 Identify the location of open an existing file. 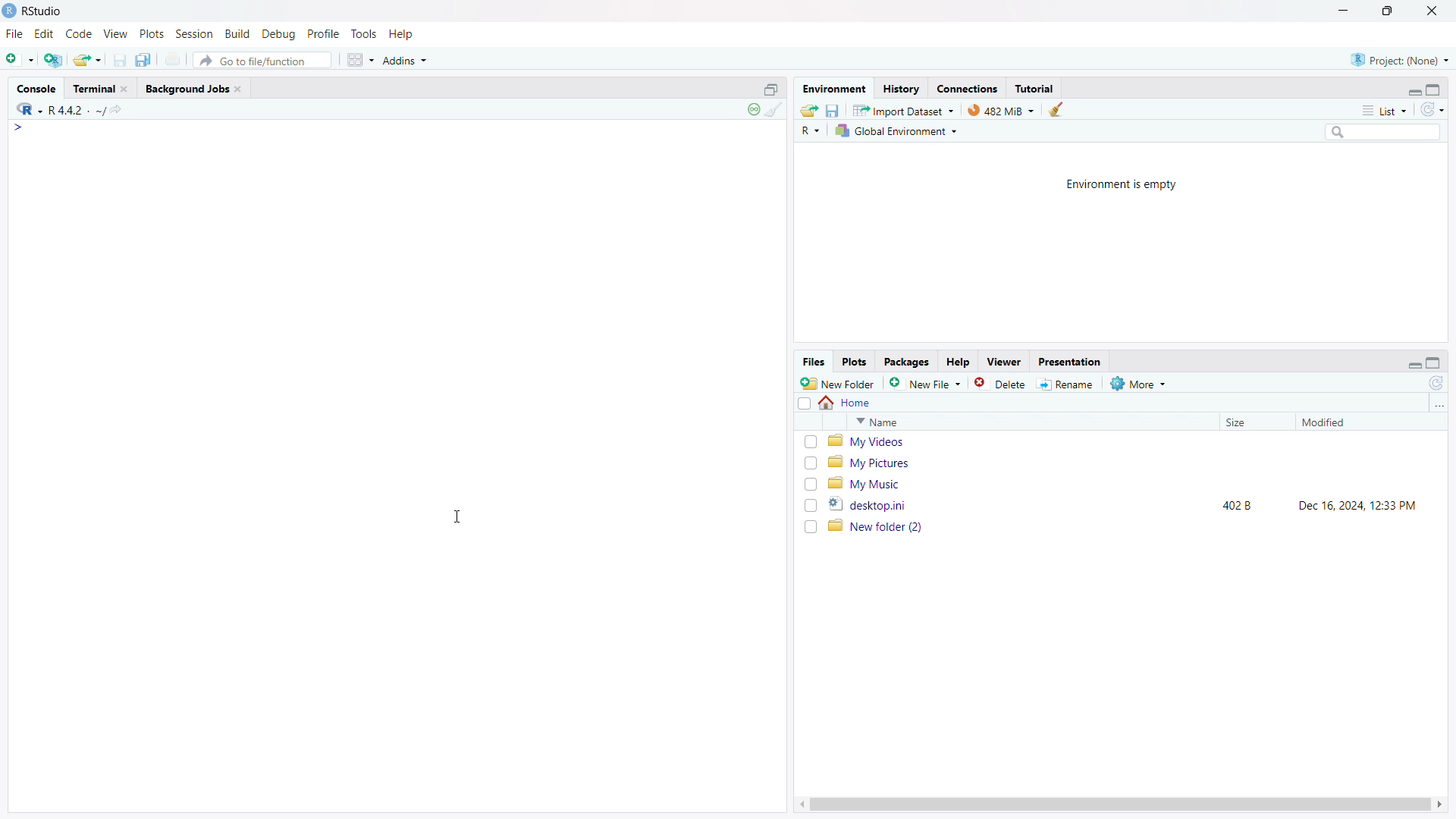
(88, 59).